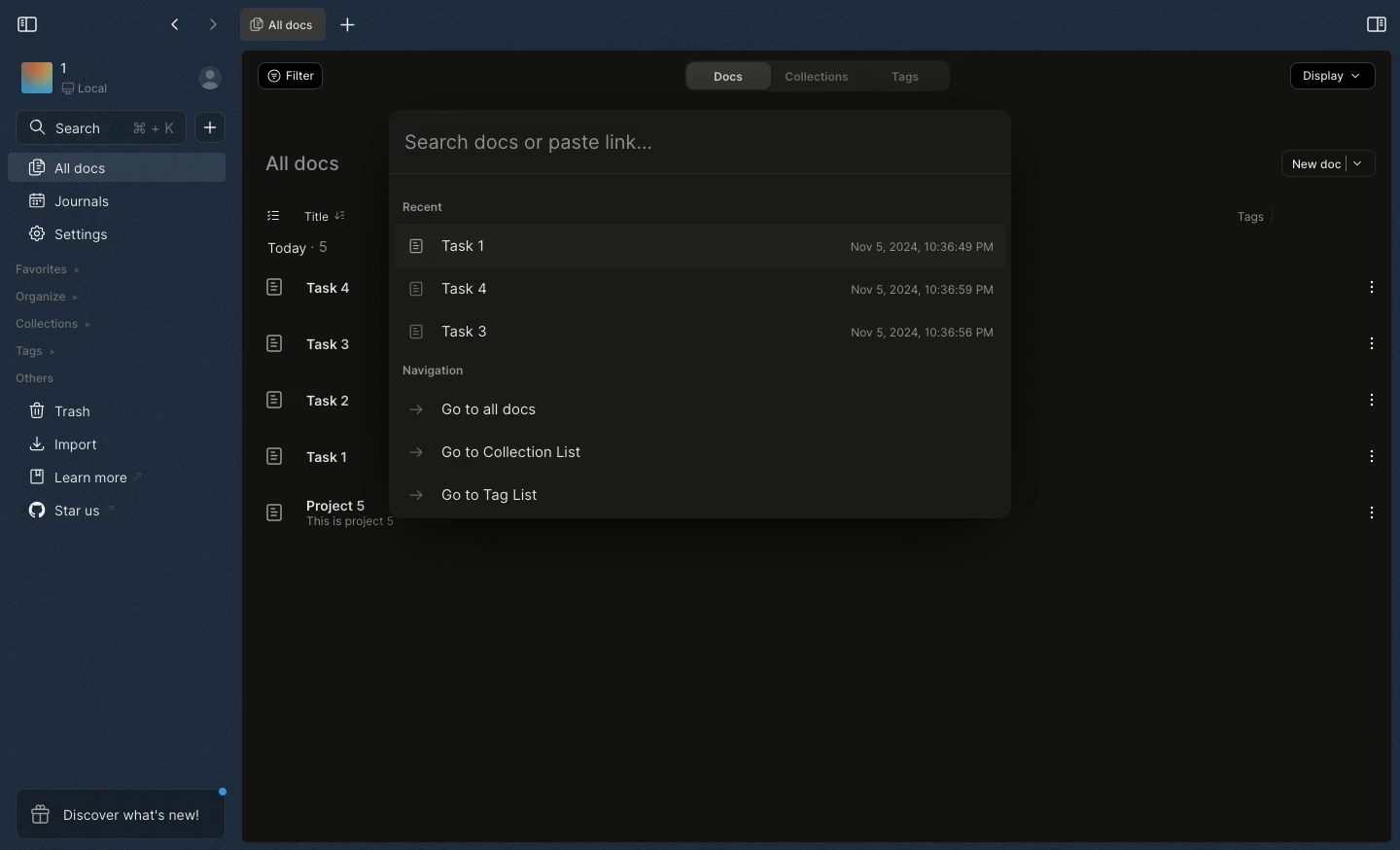 This screenshot has height=850, width=1400. Describe the element at coordinates (171, 26) in the screenshot. I see `Back` at that location.